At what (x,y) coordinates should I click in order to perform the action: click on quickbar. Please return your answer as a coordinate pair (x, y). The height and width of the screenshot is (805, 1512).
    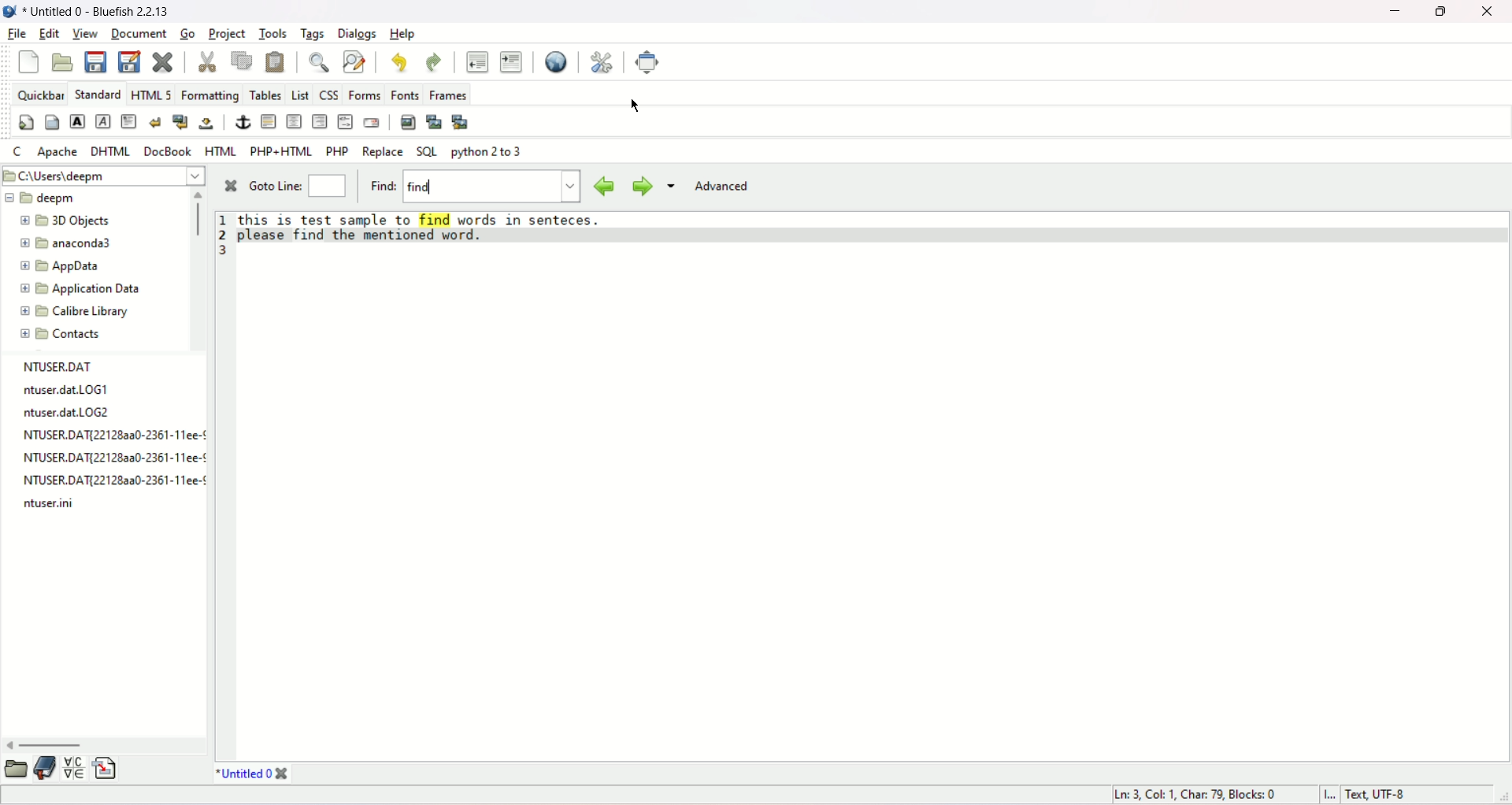
    Looking at the image, I should click on (41, 95).